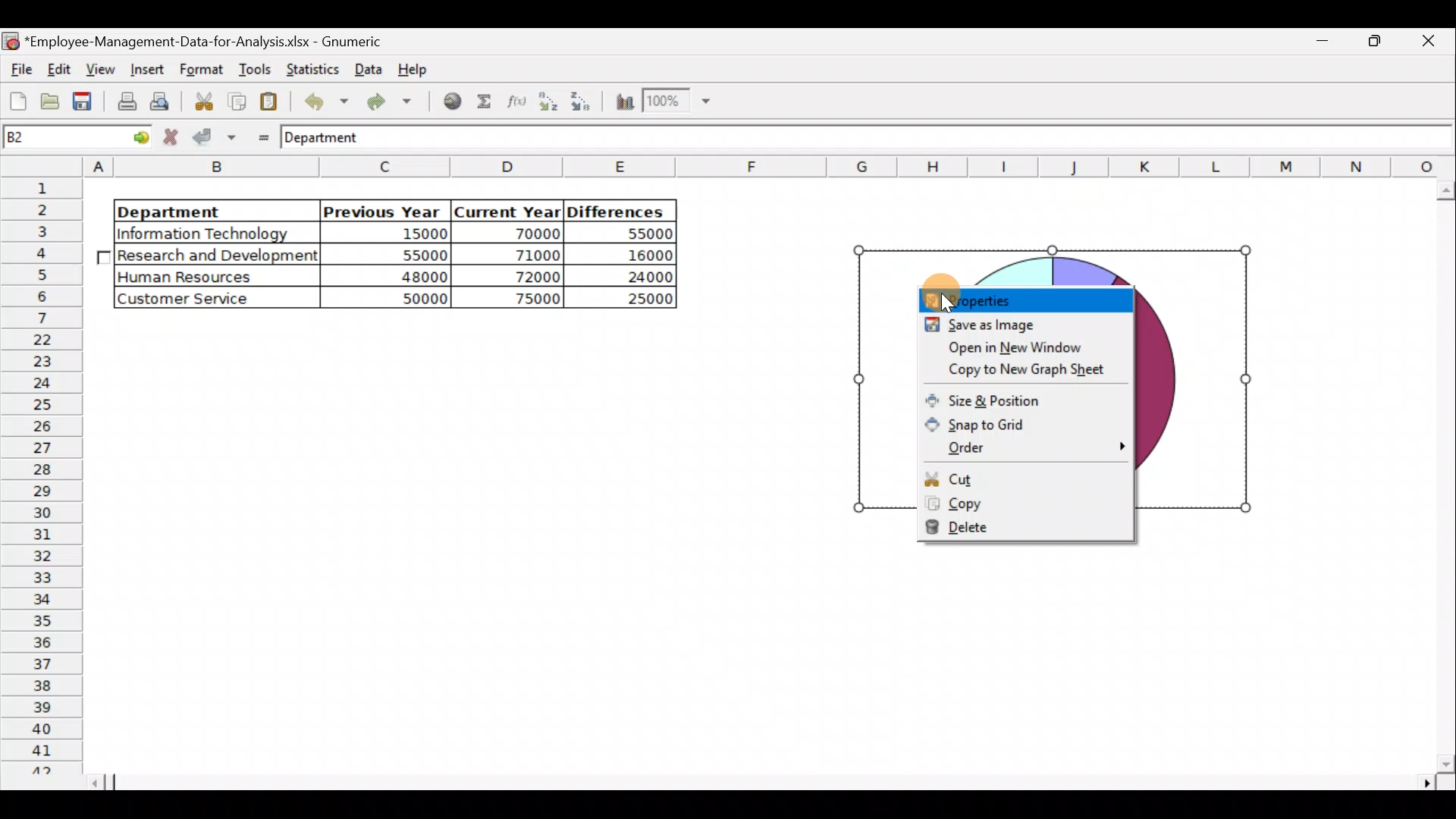 Image resolution: width=1456 pixels, height=819 pixels. Describe the element at coordinates (676, 103) in the screenshot. I see `Zoom` at that location.